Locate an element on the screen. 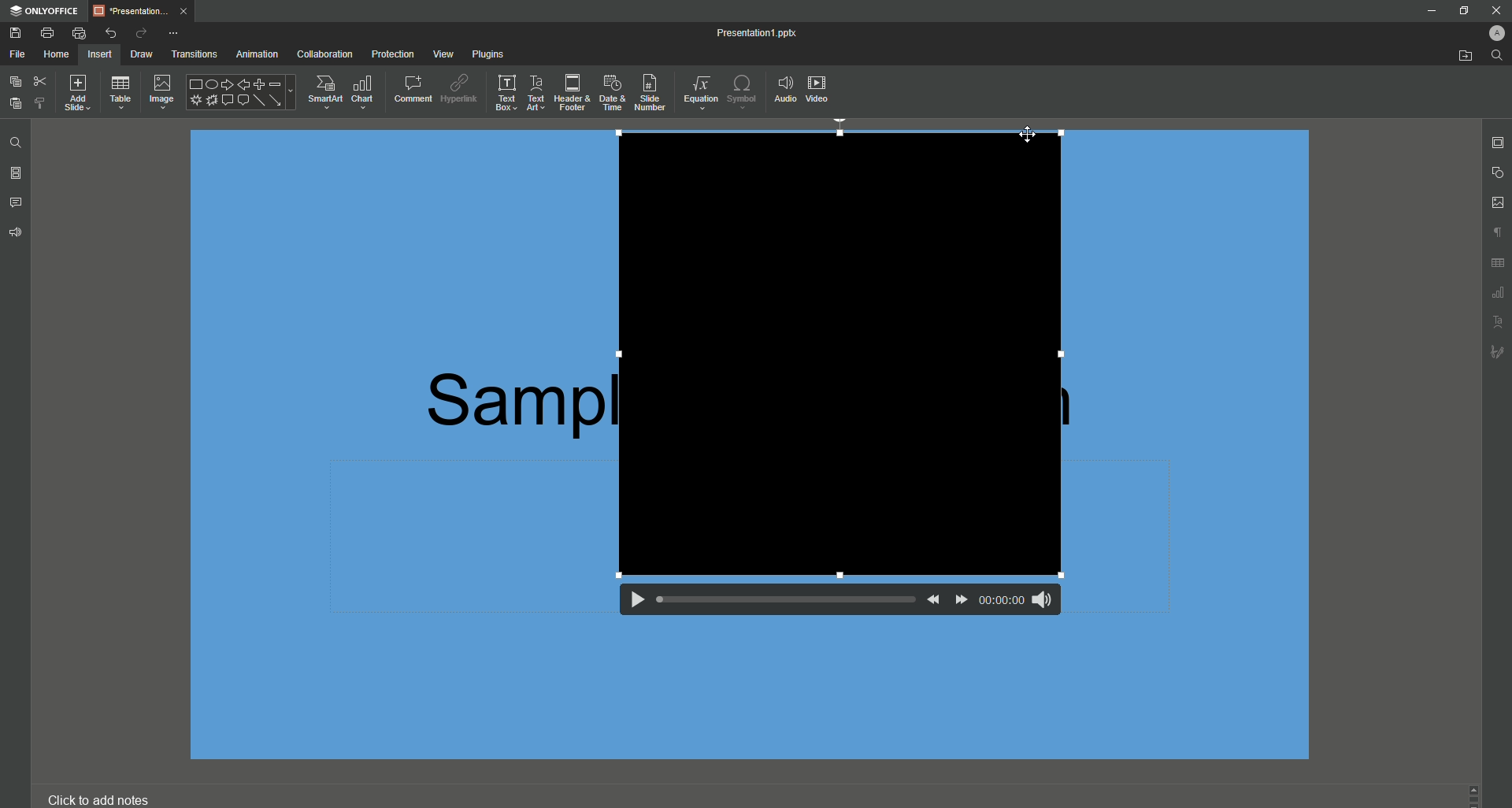 The width and height of the screenshot is (1512, 808). Header and Footer is located at coordinates (572, 92).